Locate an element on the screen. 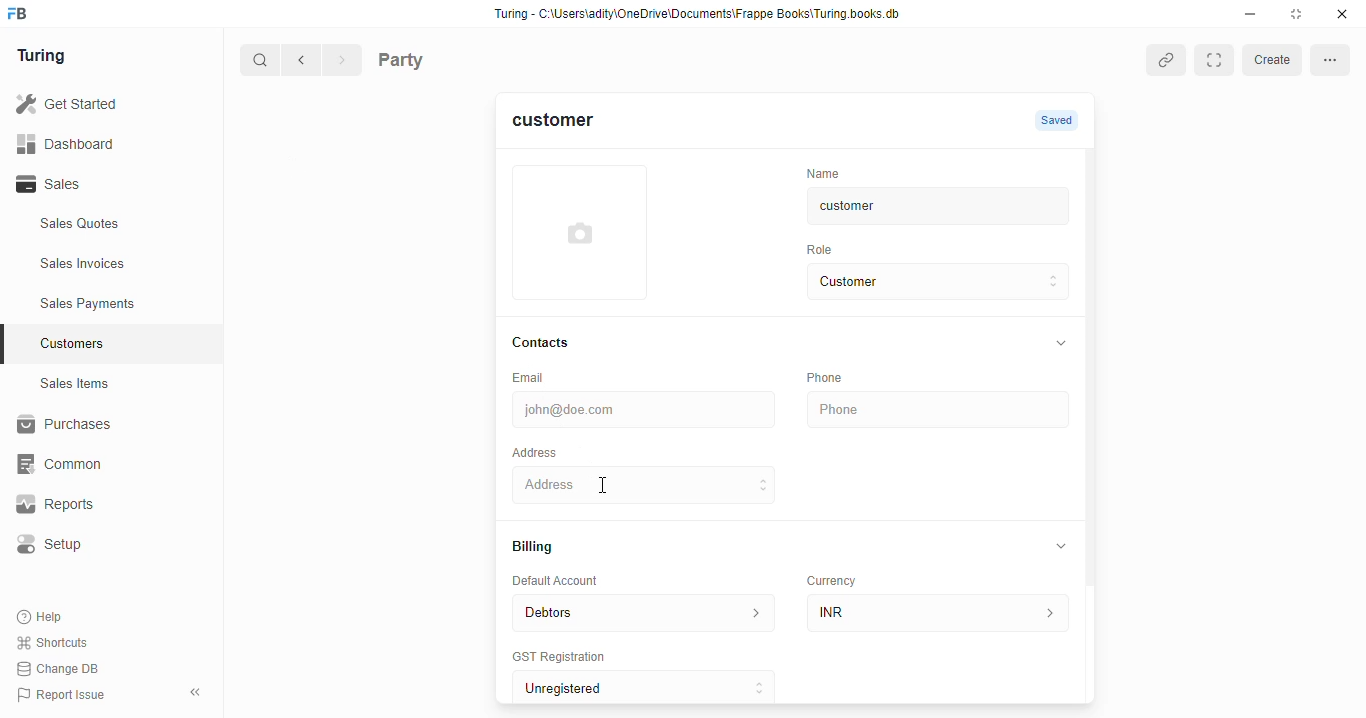 The height and width of the screenshot is (718, 1366). add profile photo is located at coordinates (583, 231).